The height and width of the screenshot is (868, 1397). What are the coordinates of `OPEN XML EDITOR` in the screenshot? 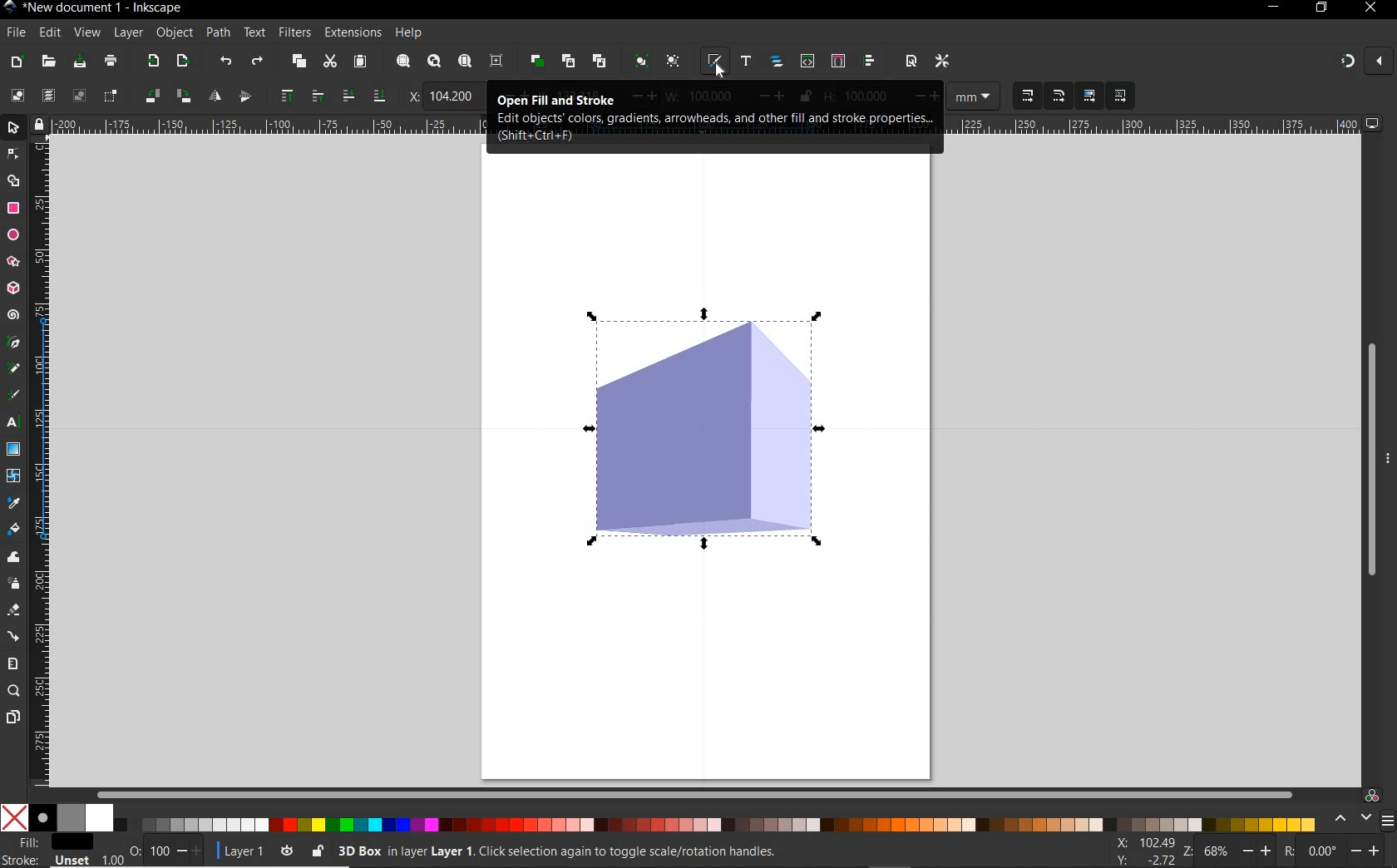 It's located at (807, 63).